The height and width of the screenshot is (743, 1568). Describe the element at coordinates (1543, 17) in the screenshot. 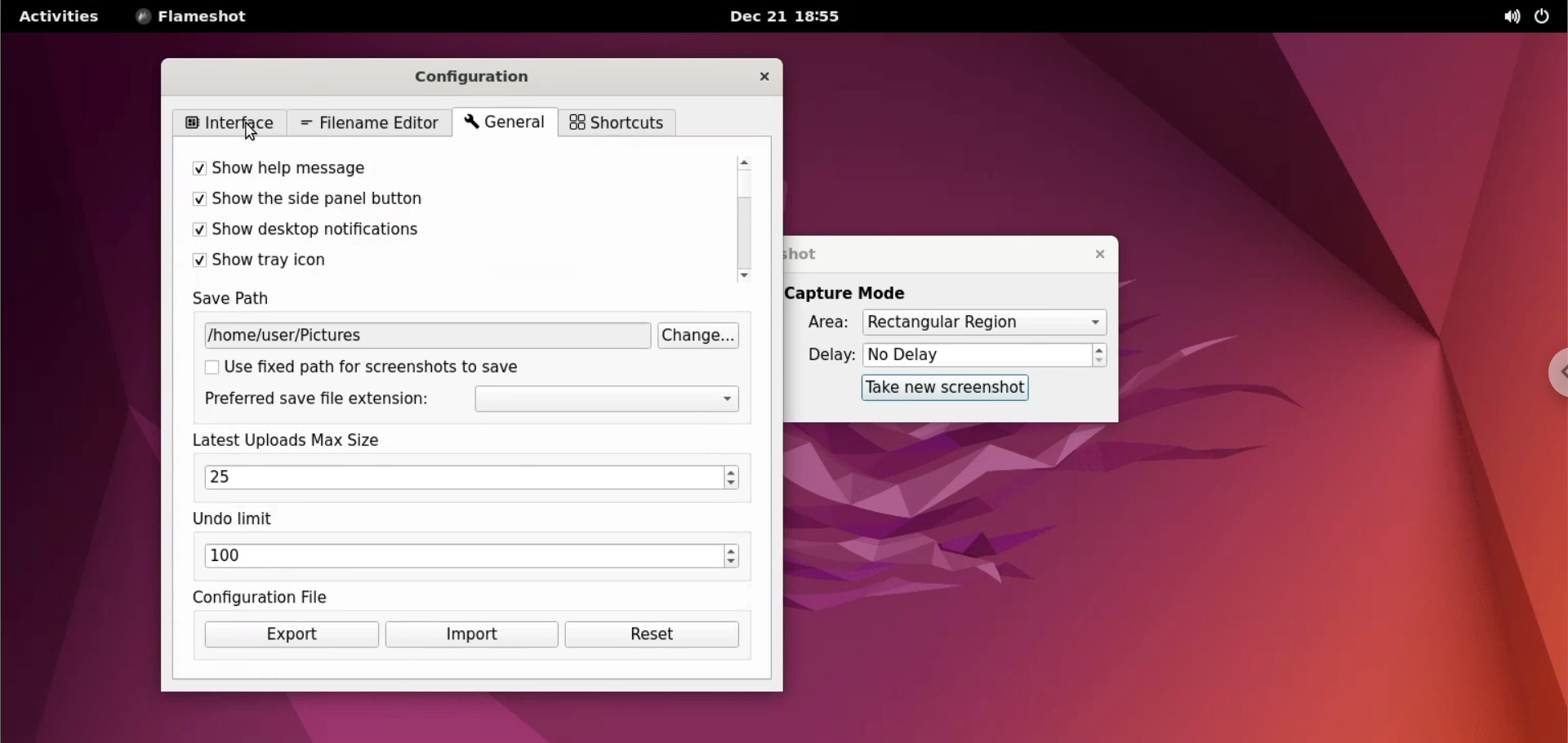

I see `power options` at that location.